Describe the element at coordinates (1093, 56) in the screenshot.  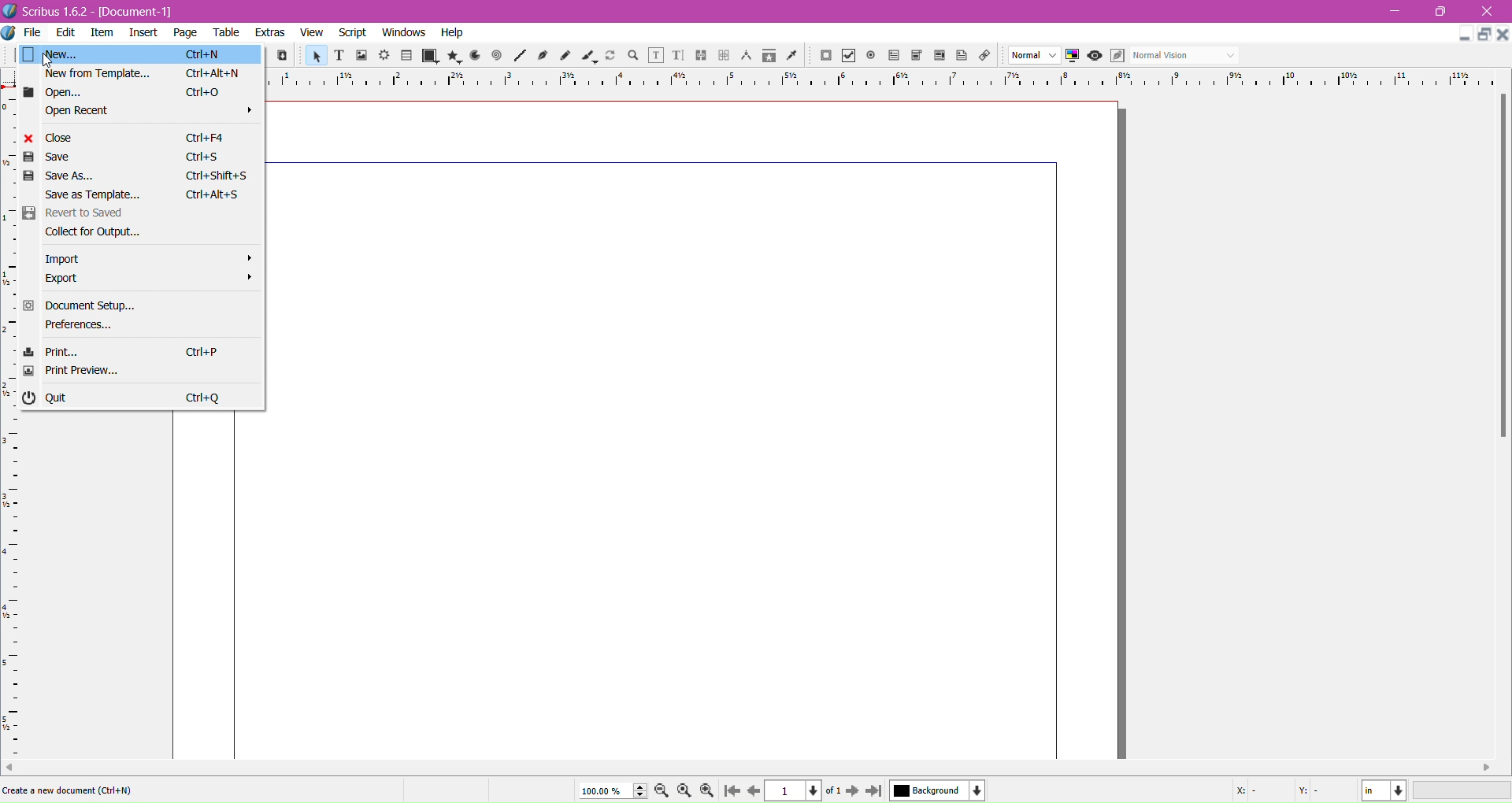
I see `icon` at that location.